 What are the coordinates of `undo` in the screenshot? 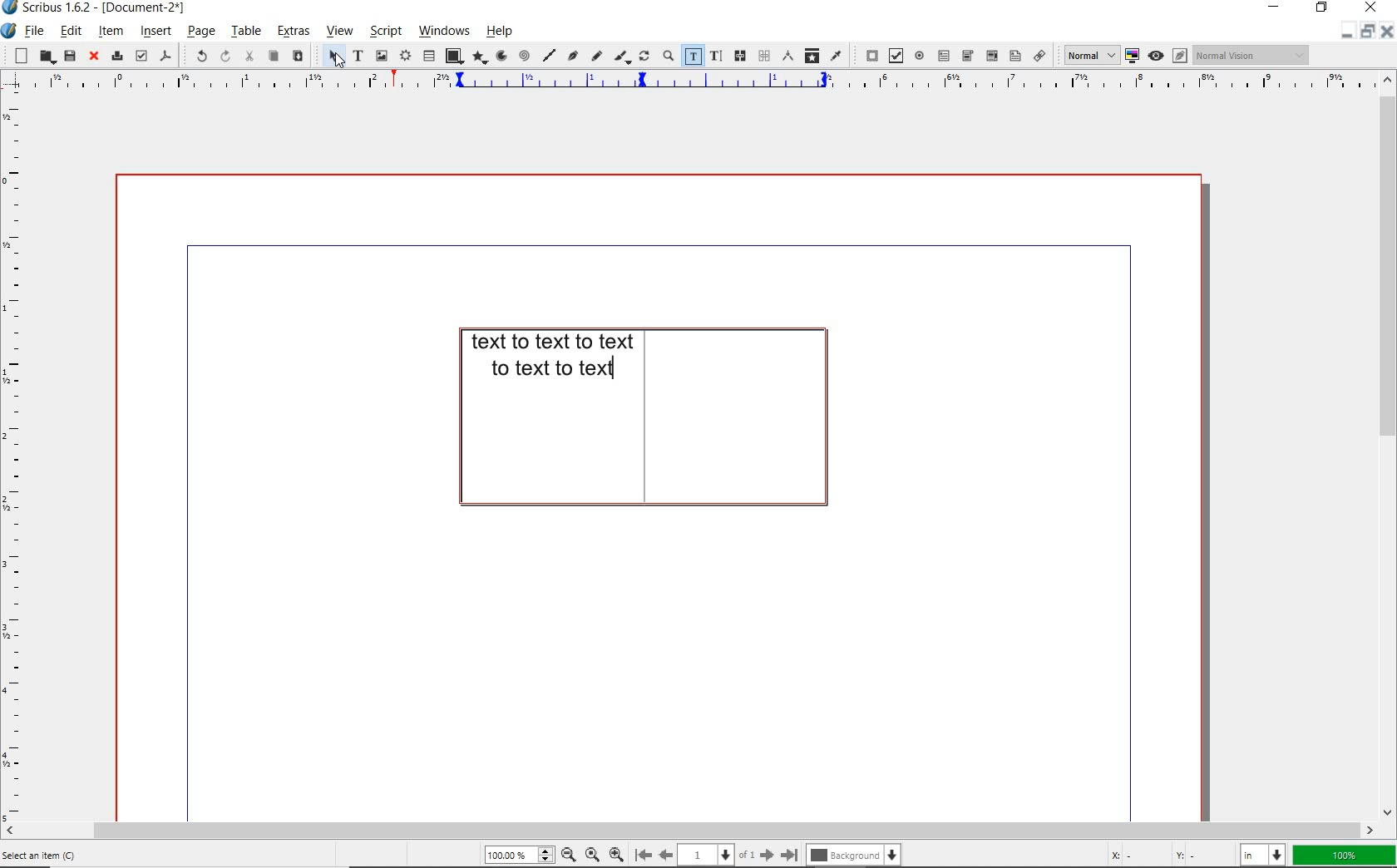 It's located at (198, 56).